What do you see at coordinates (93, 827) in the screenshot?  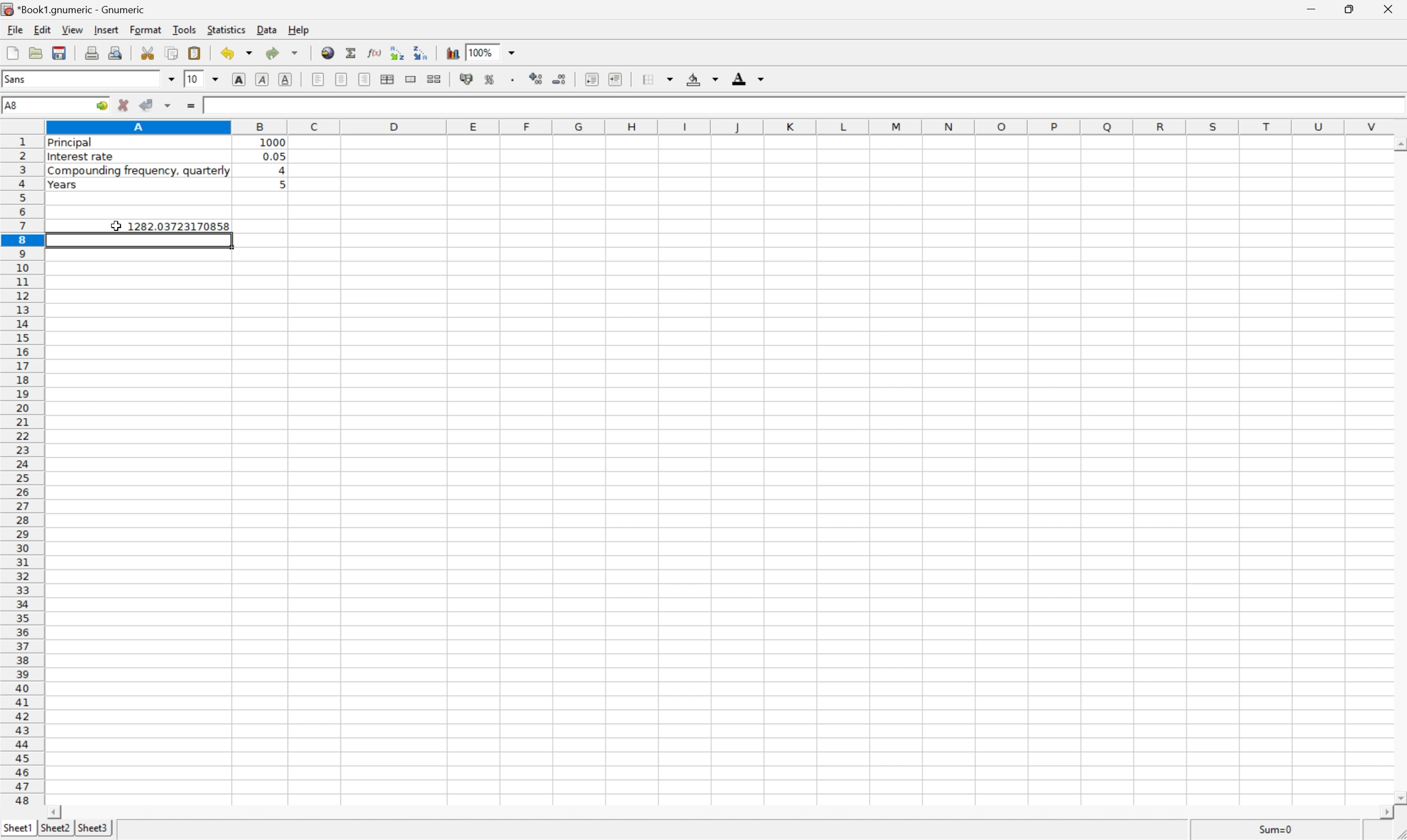 I see `sheet3` at bounding box center [93, 827].